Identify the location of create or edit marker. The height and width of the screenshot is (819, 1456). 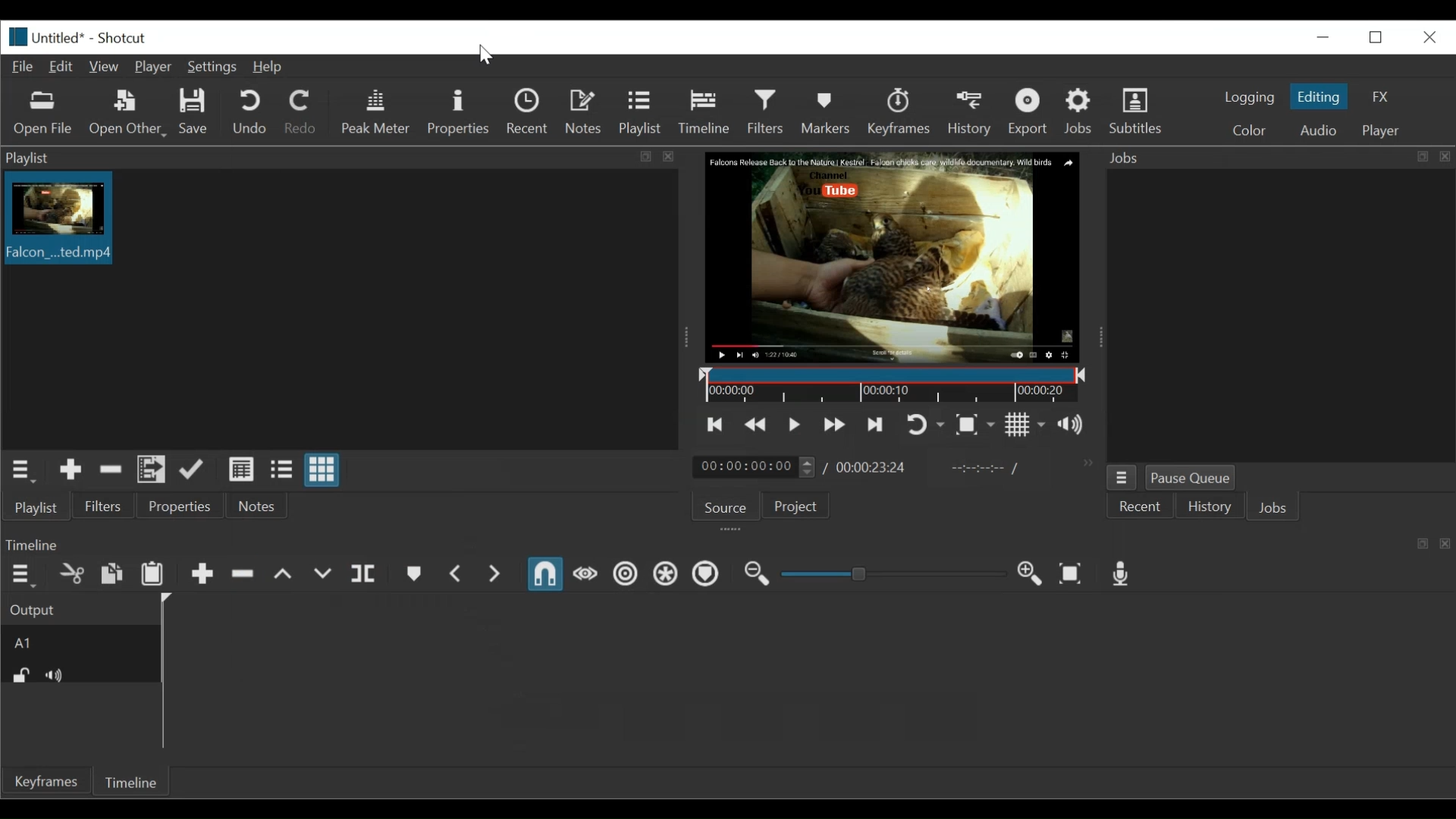
(413, 575).